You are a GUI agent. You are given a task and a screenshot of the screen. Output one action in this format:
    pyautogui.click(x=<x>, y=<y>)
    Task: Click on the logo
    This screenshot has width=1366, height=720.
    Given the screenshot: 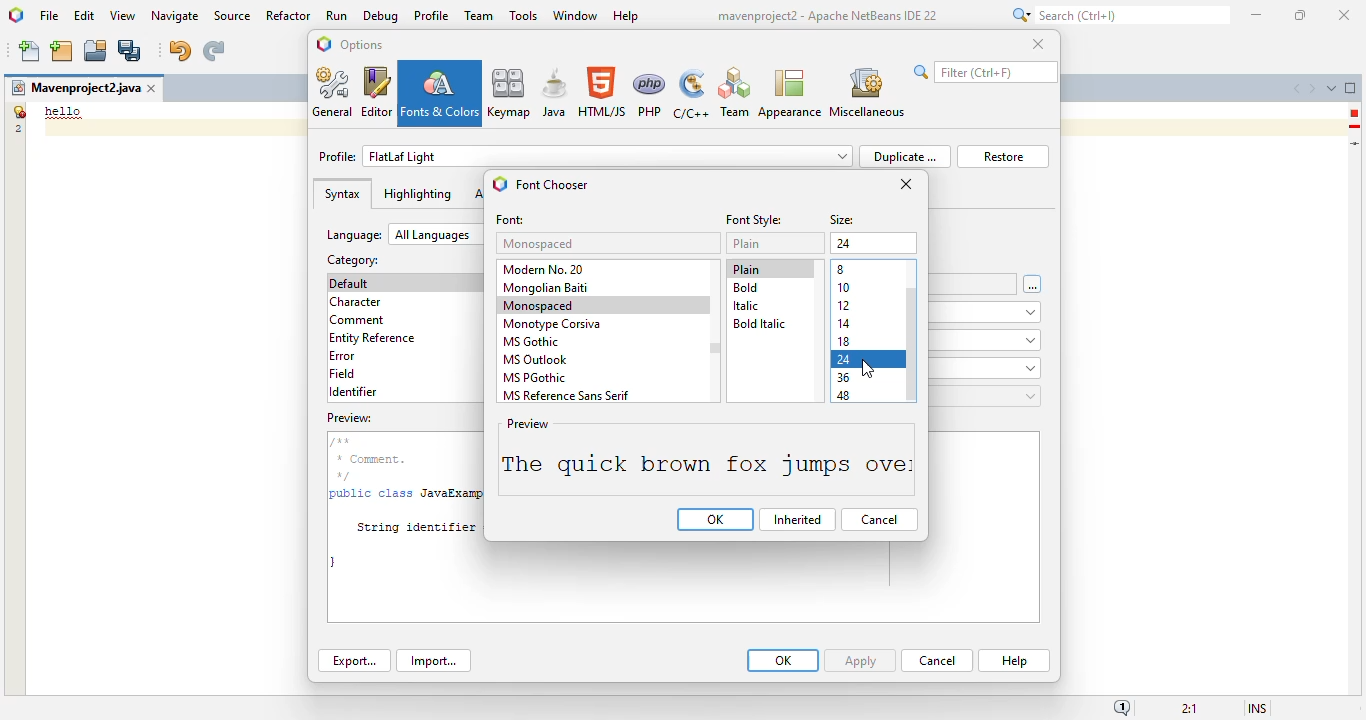 What is the action you would take?
    pyautogui.click(x=324, y=44)
    